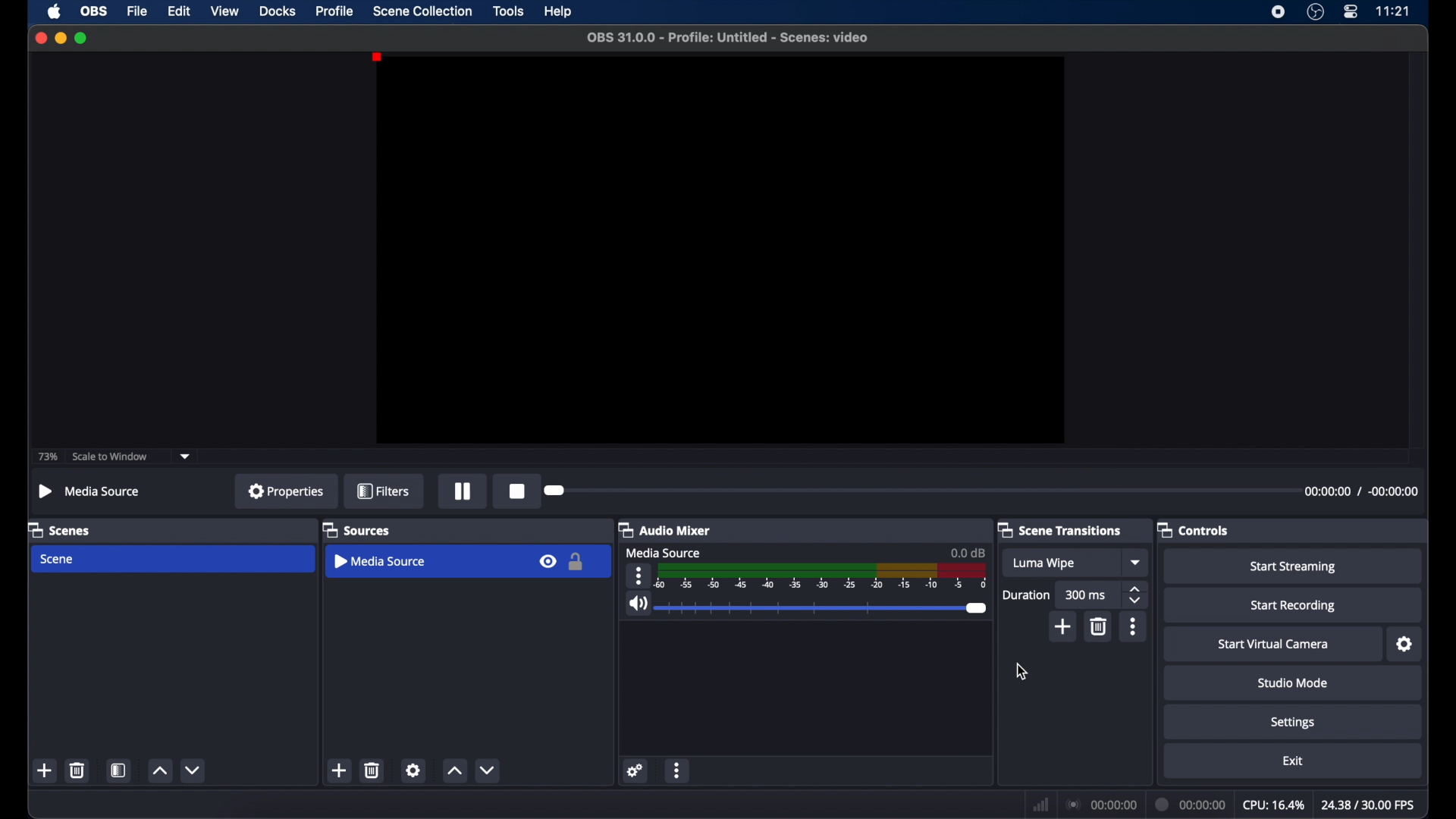 Image resolution: width=1456 pixels, height=819 pixels. What do you see at coordinates (1293, 682) in the screenshot?
I see `studio mode` at bounding box center [1293, 682].